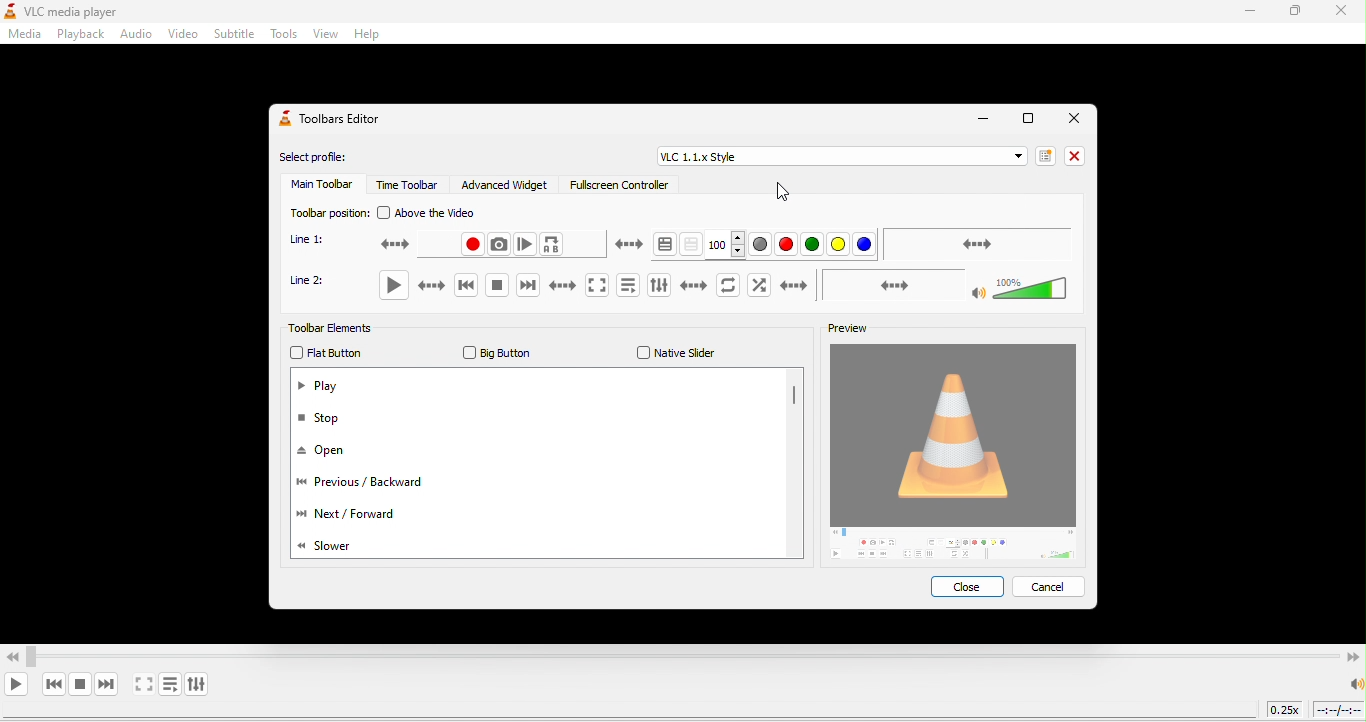  Describe the element at coordinates (77, 34) in the screenshot. I see `playback` at that location.